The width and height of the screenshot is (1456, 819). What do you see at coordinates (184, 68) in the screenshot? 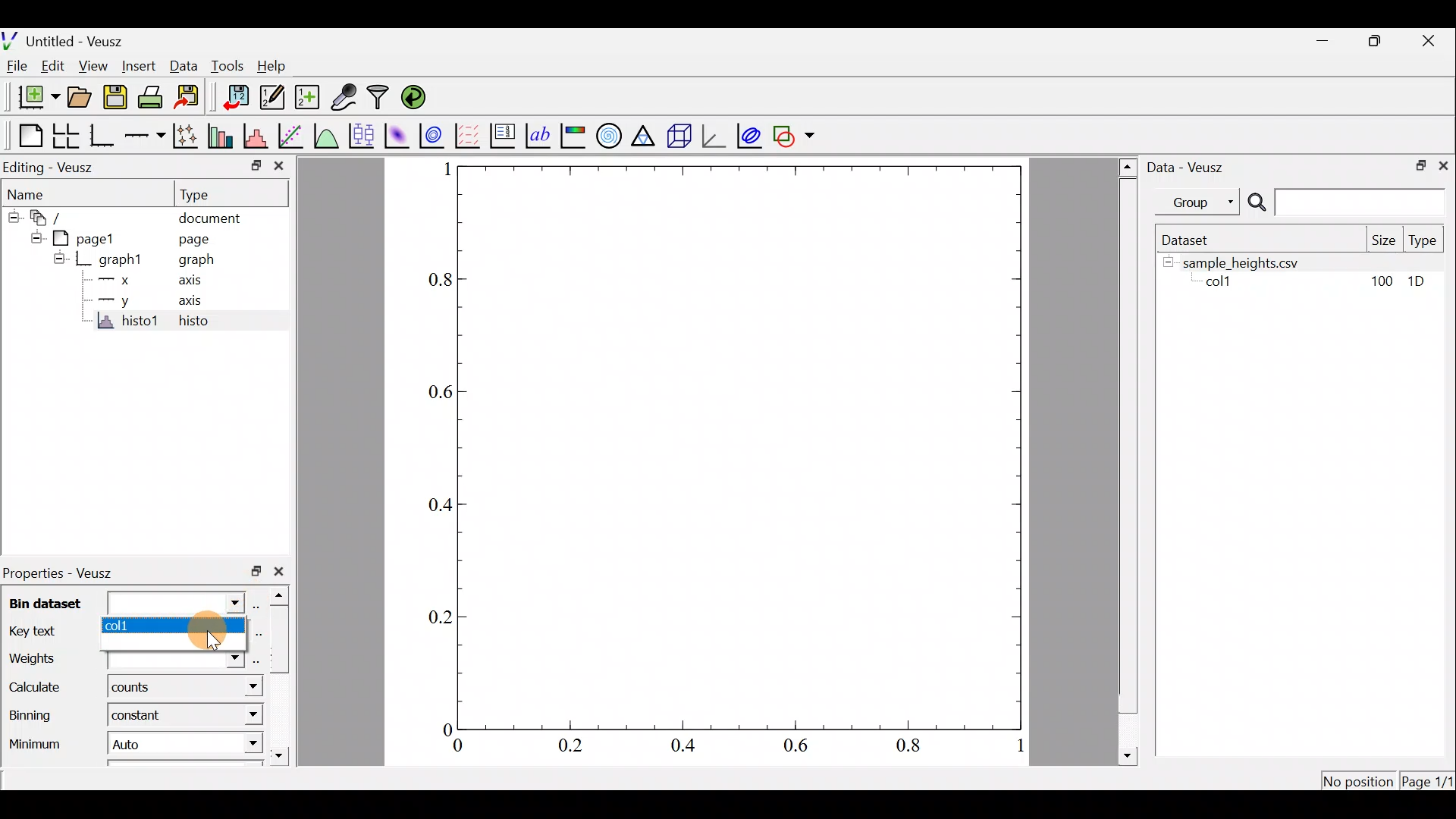
I see `Data` at bounding box center [184, 68].